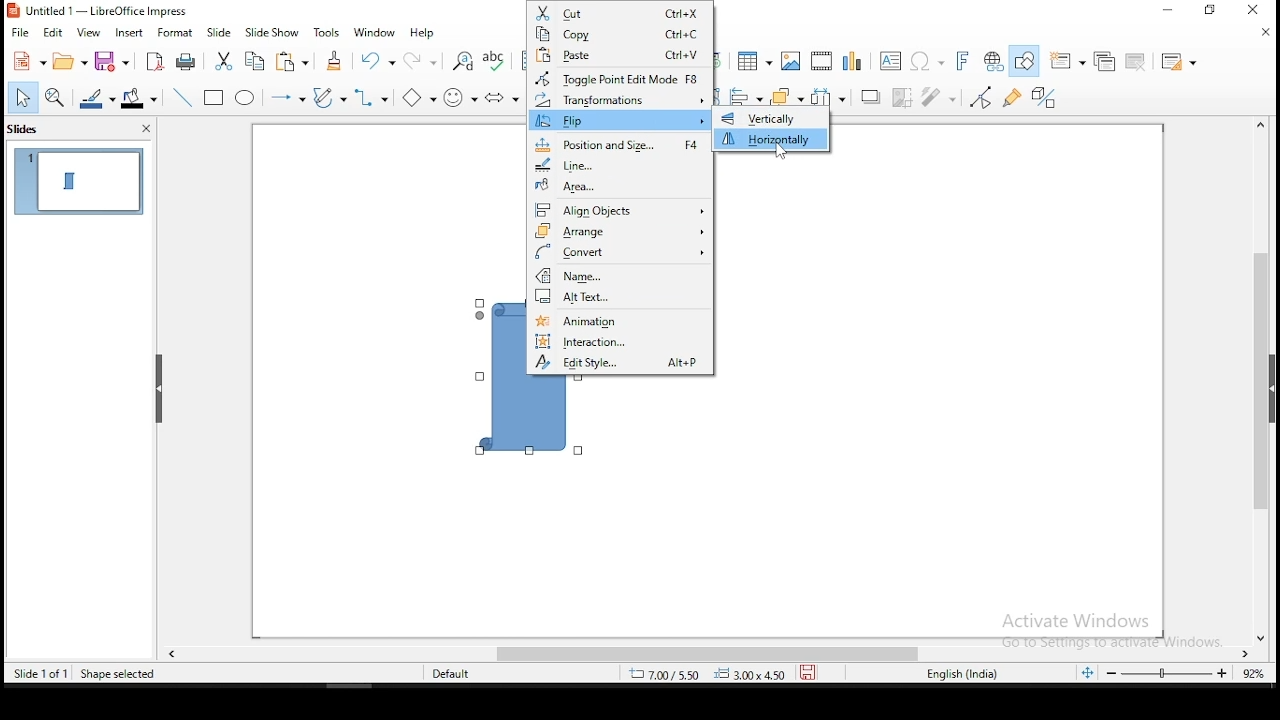 This screenshot has height=720, width=1280. Describe the element at coordinates (940, 99) in the screenshot. I see `filter` at that location.